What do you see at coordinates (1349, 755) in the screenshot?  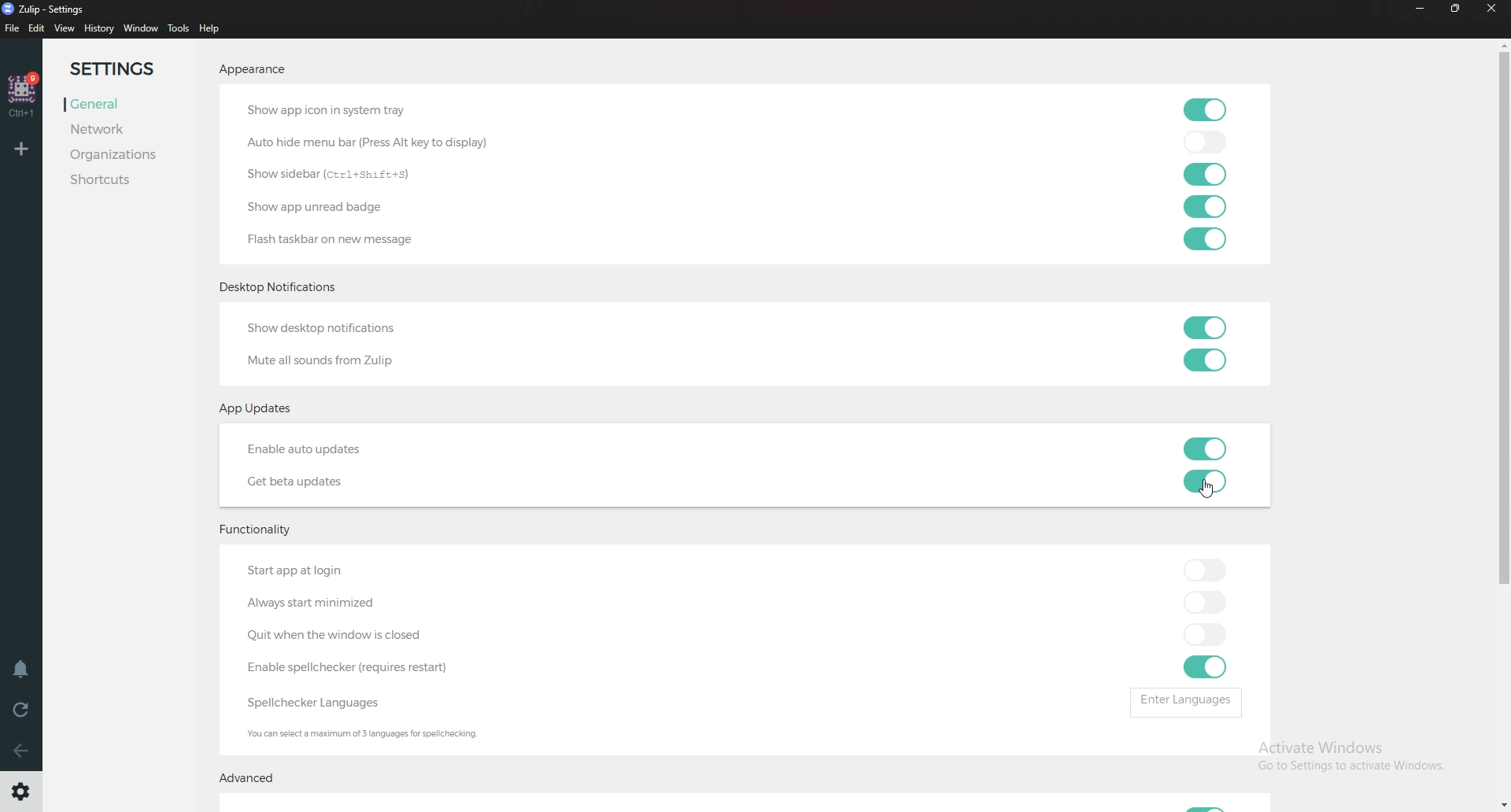 I see `Activate Windows Go to Settings to activate Windows` at bounding box center [1349, 755].